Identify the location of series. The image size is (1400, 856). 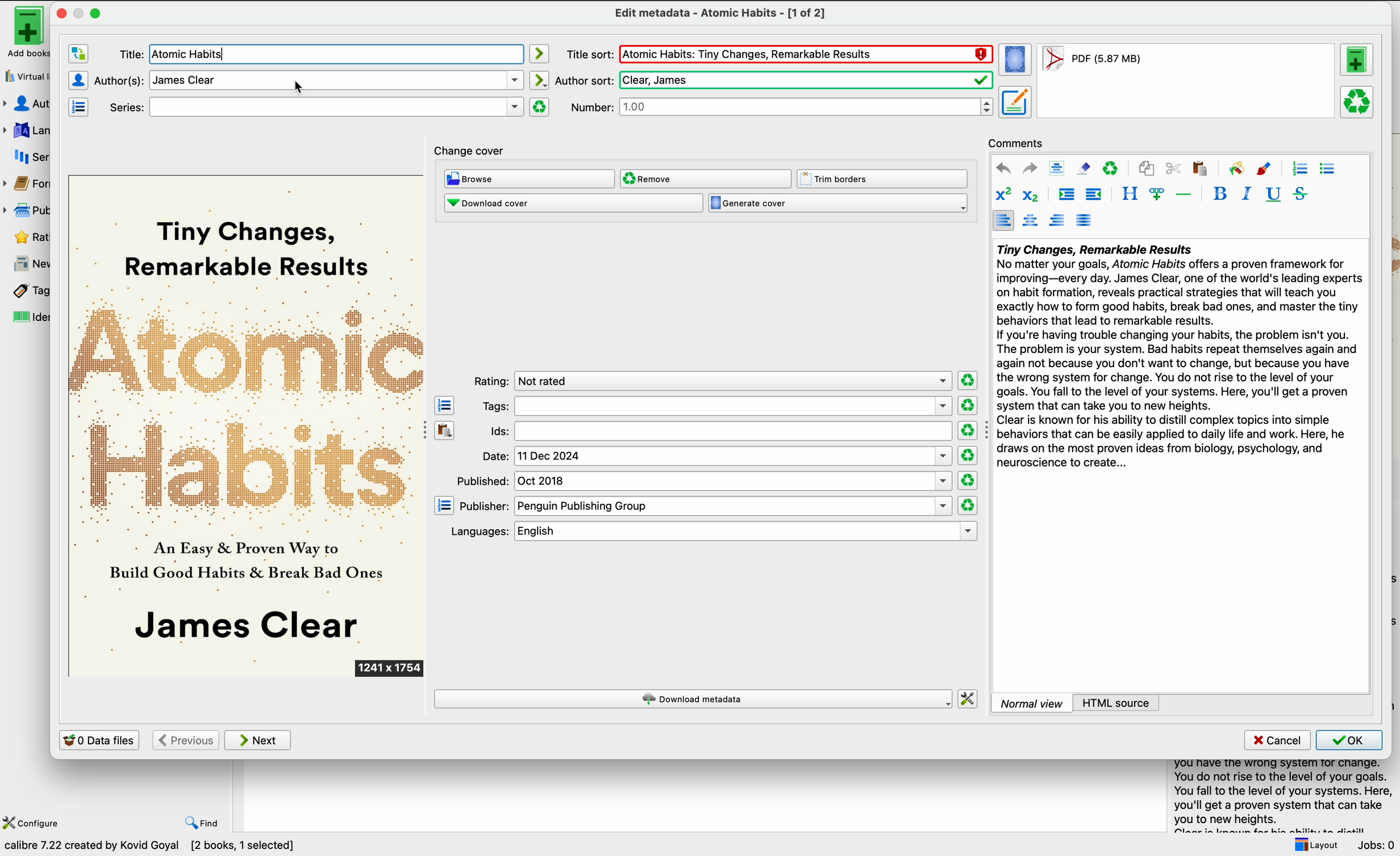
(27, 157).